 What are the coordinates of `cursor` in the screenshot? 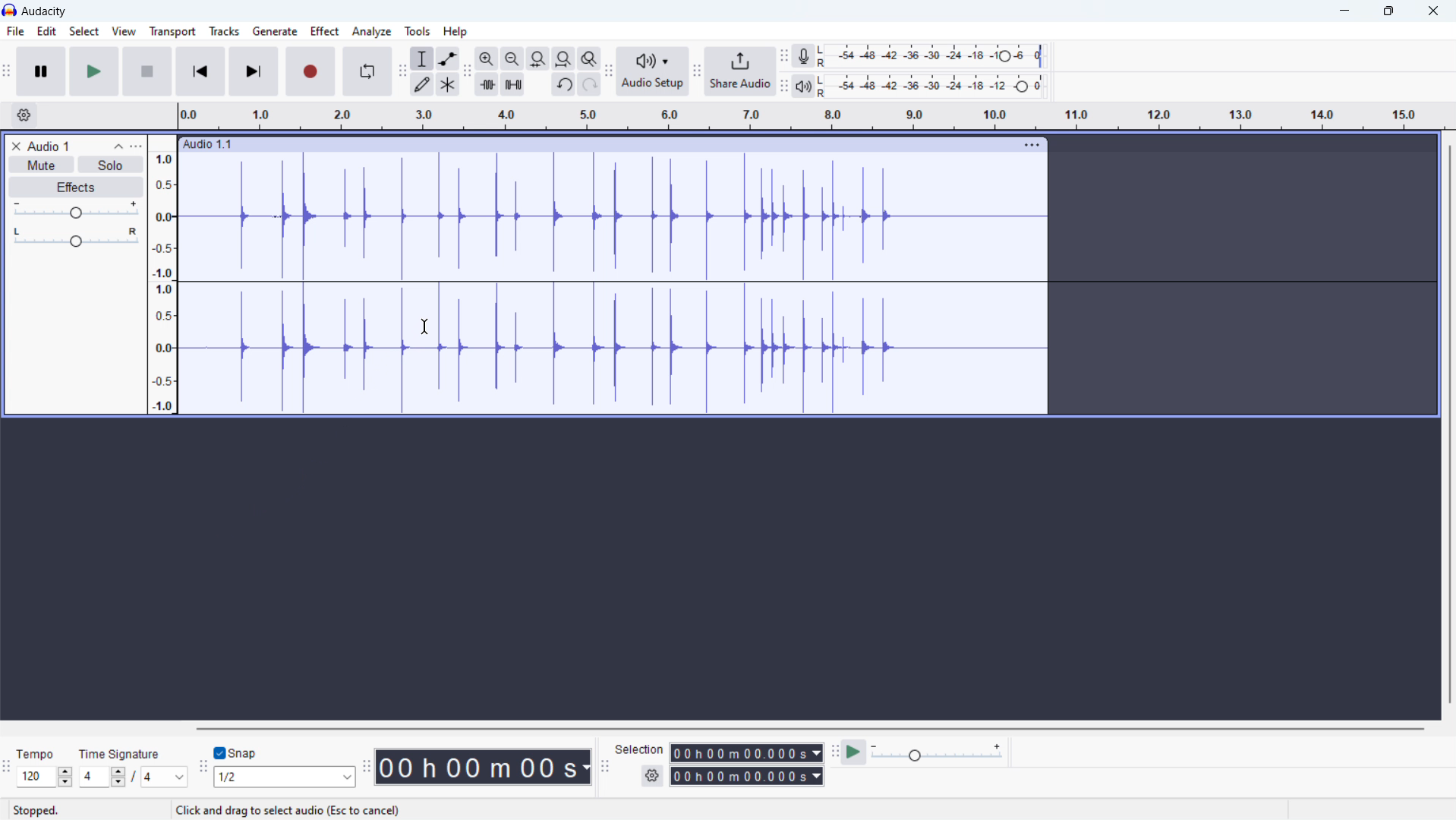 It's located at (425, 326).